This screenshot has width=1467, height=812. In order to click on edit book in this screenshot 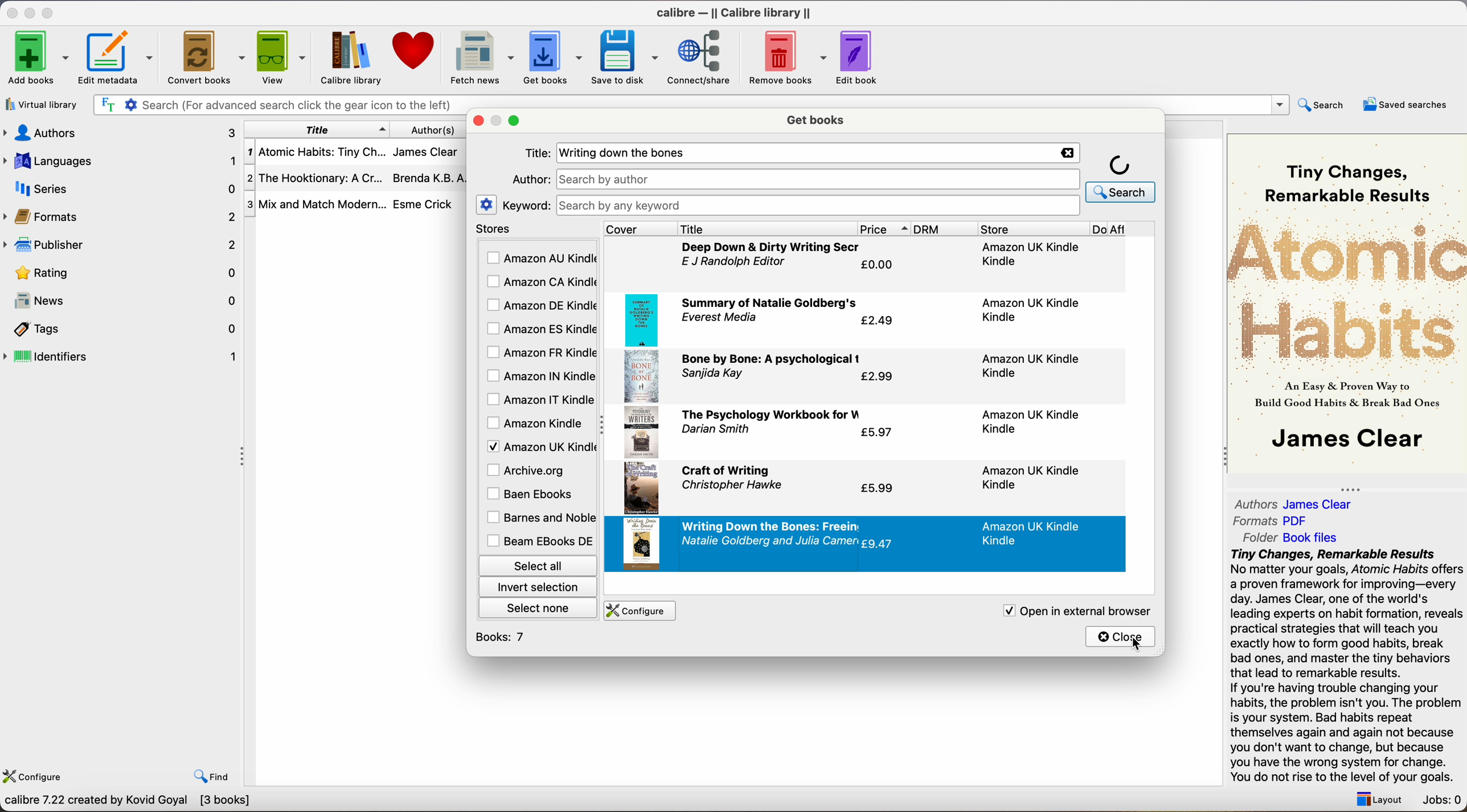, I will do `click(859, 58)`.